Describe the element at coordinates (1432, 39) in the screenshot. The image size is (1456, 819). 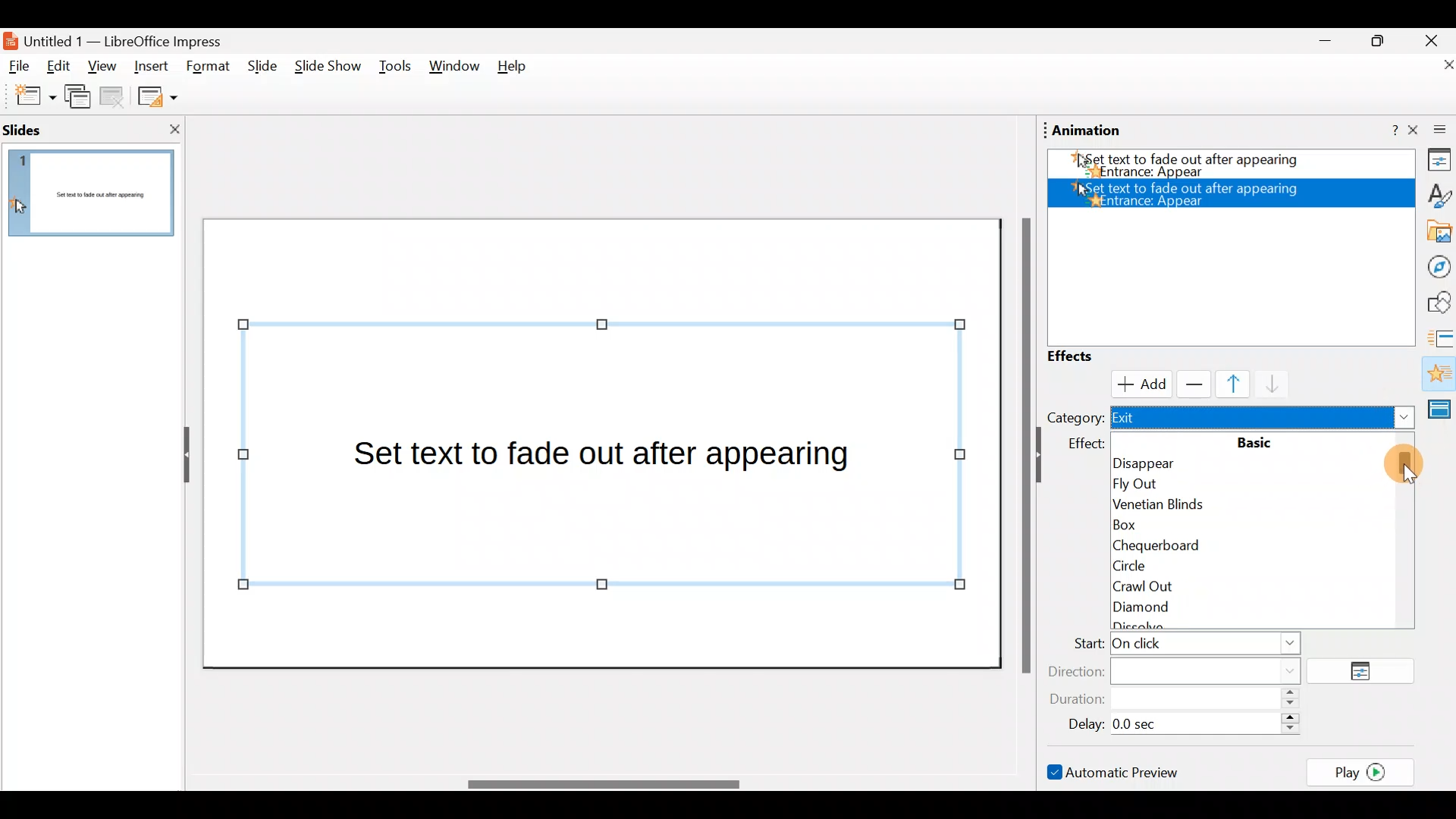
I see `Close` at that location.